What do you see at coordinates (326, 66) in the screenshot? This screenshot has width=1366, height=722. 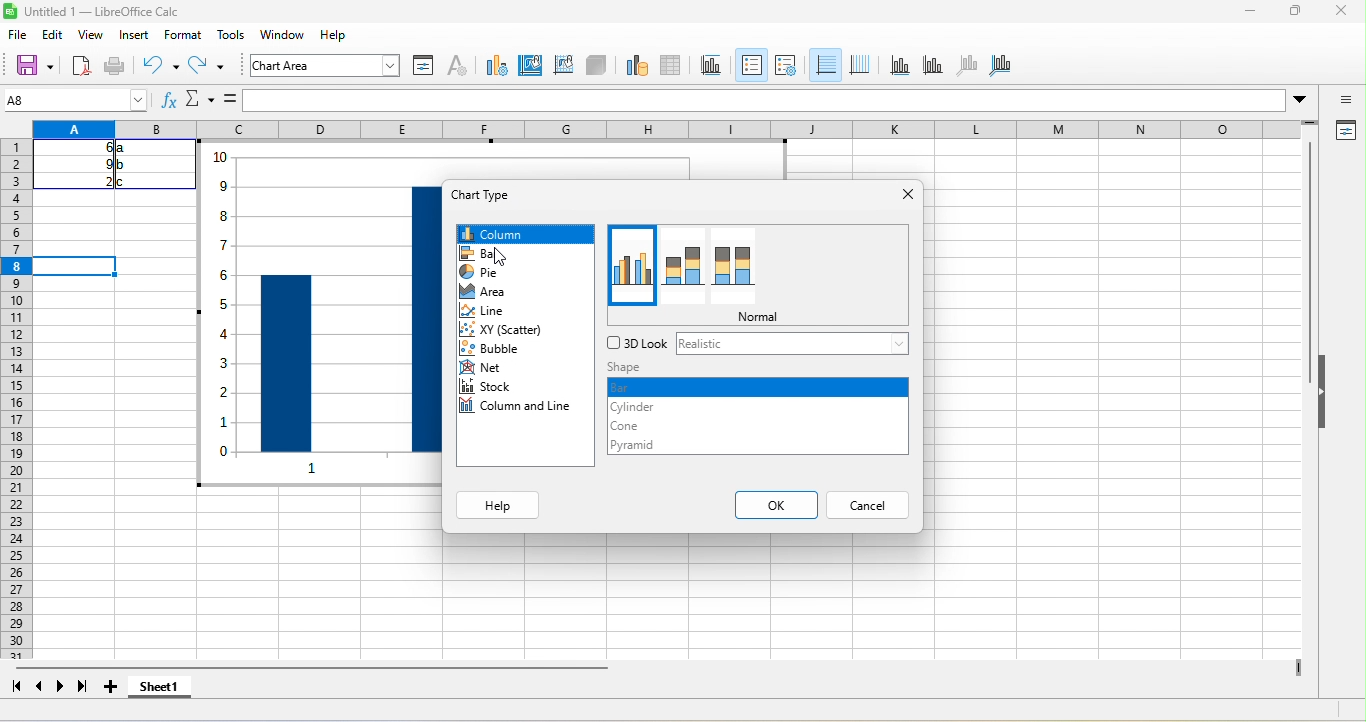 I see `chart area` at bounding box center [326, 66].